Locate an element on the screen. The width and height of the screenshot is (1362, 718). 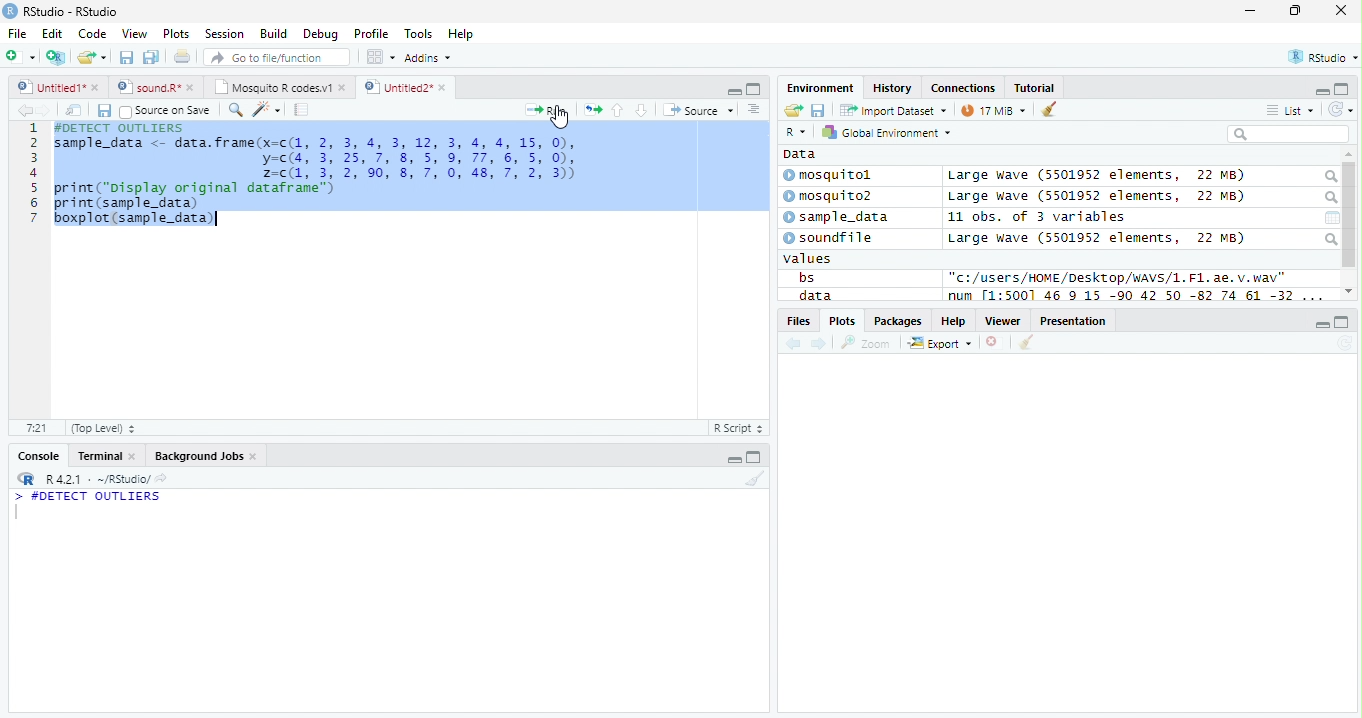
sample_data is located at coordinates (838, 218).